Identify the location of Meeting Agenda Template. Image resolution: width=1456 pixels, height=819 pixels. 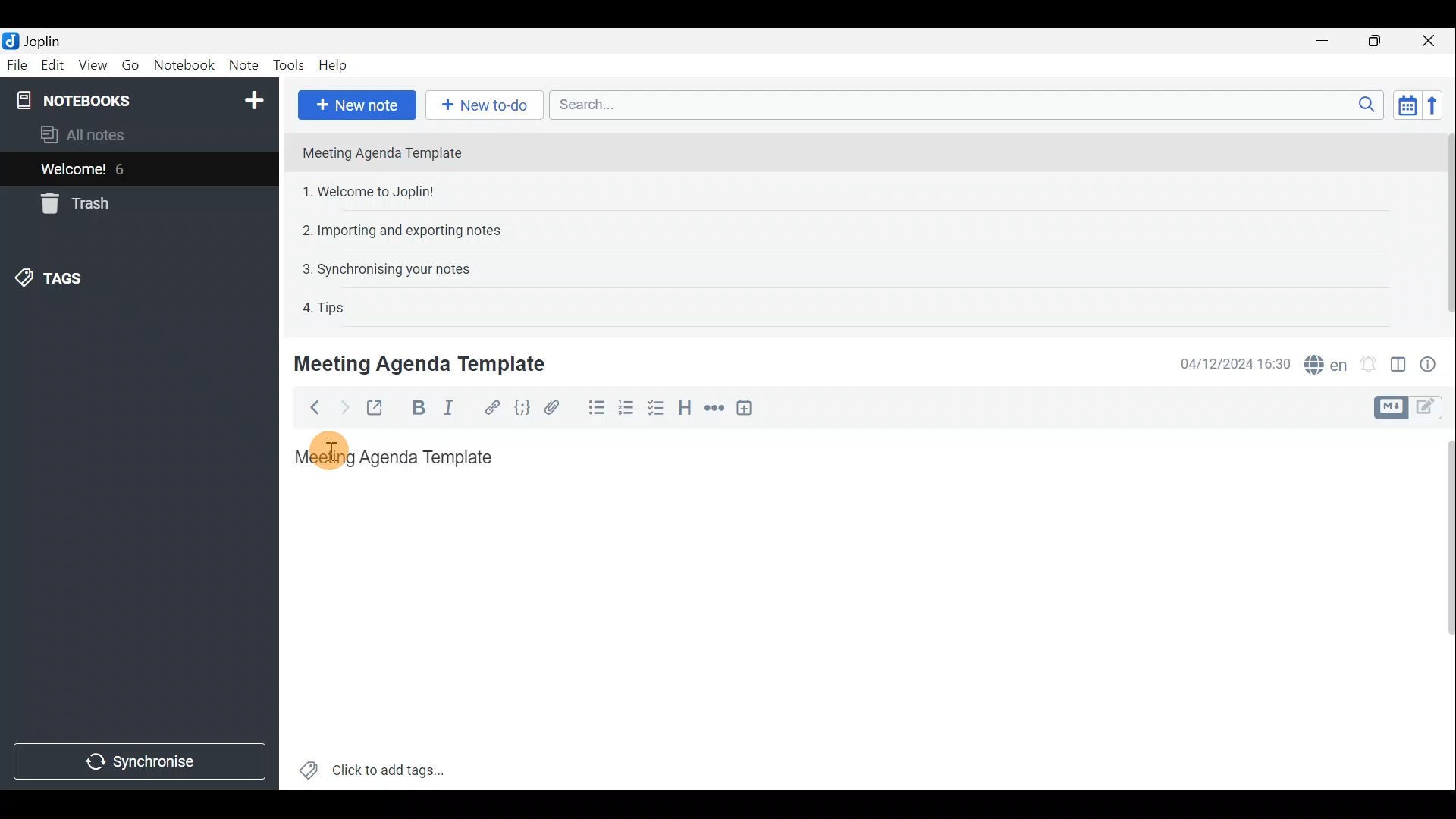
(422, 363).